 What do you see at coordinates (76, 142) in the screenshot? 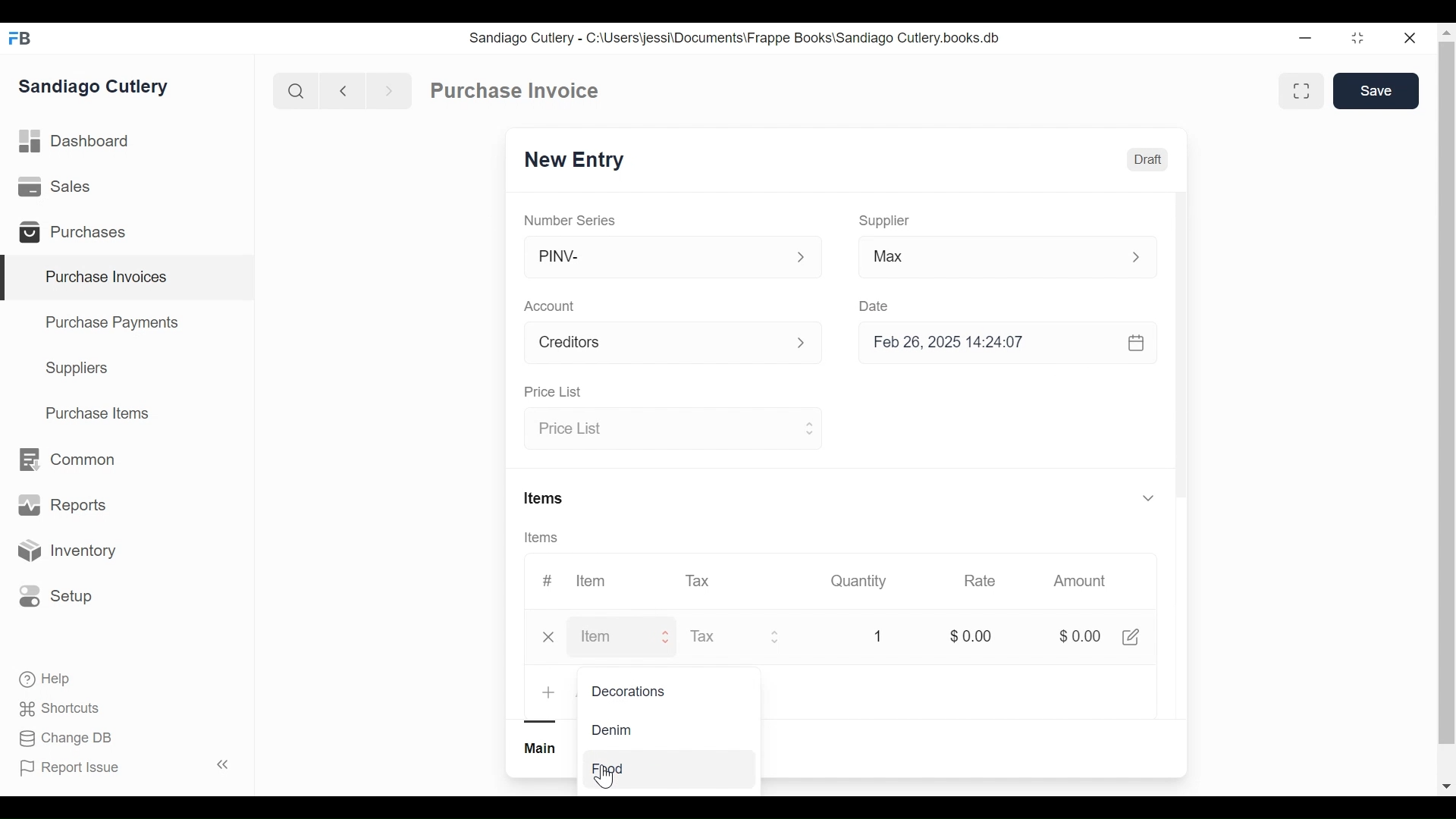
I see `Dashboard` at bounding box center [76, 142].